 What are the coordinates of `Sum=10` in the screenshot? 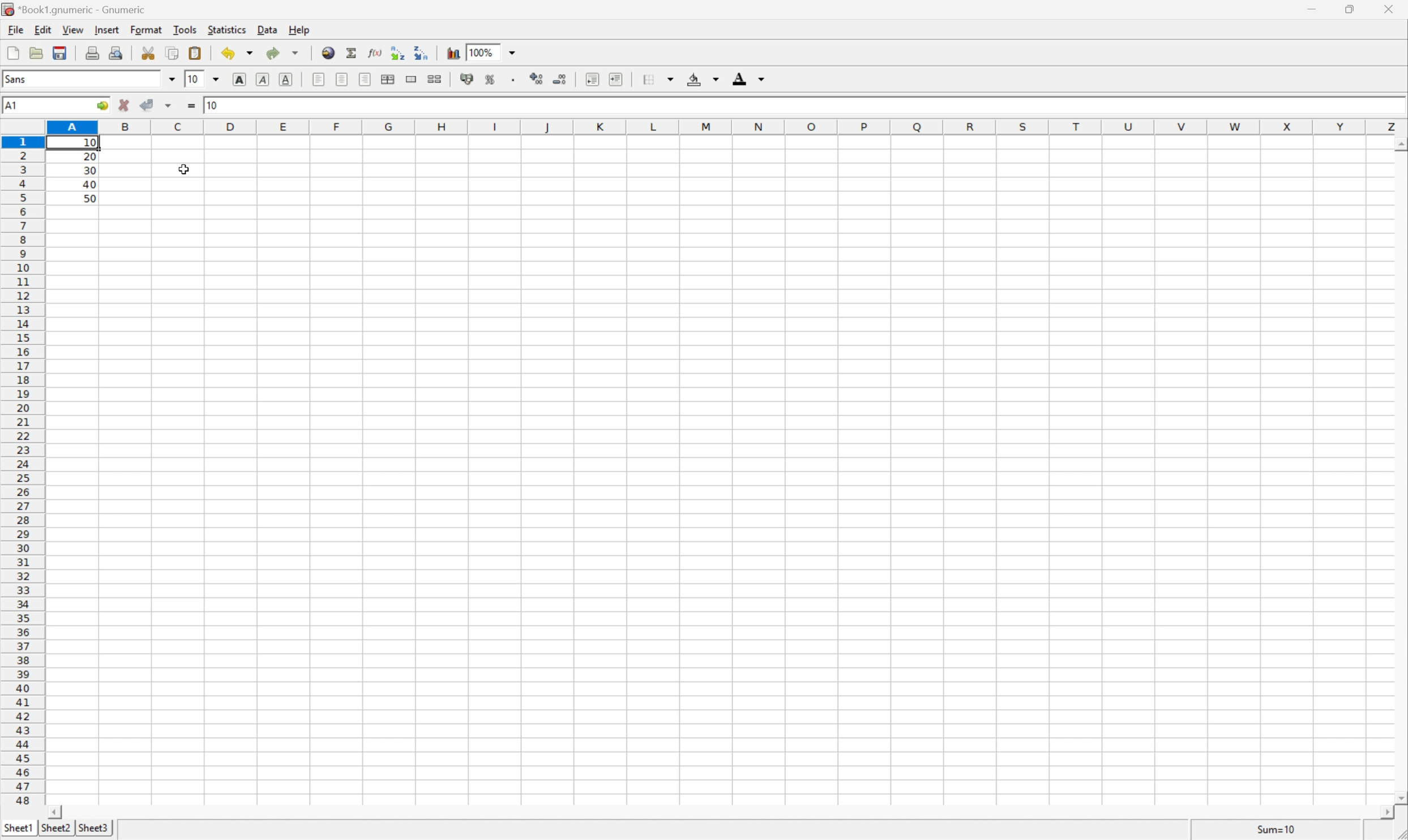 It's located at (1270, 829).